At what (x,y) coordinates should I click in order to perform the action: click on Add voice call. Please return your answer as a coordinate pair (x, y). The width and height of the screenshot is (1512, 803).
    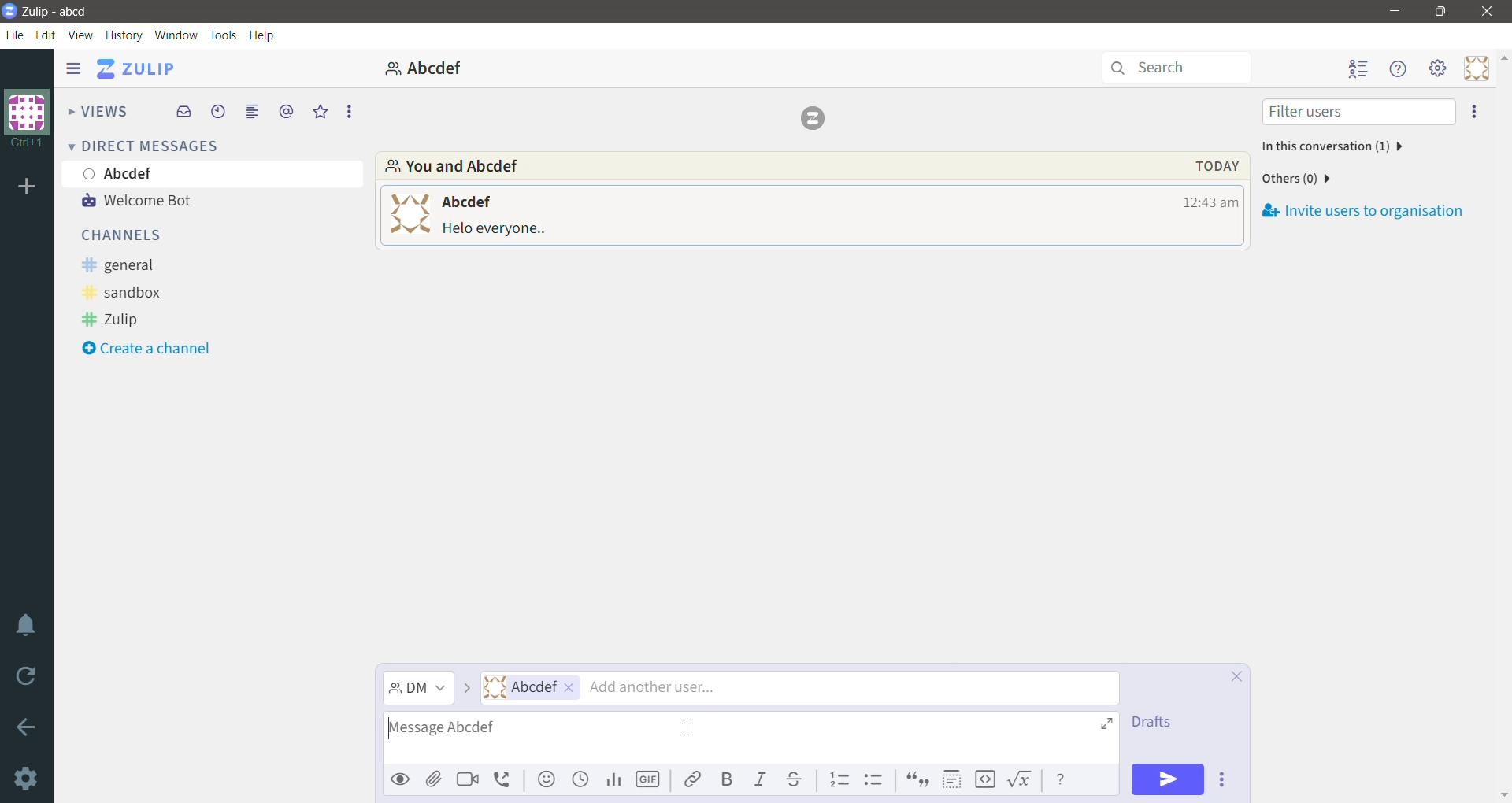
    Looking at the image, I should click on (505, 781).